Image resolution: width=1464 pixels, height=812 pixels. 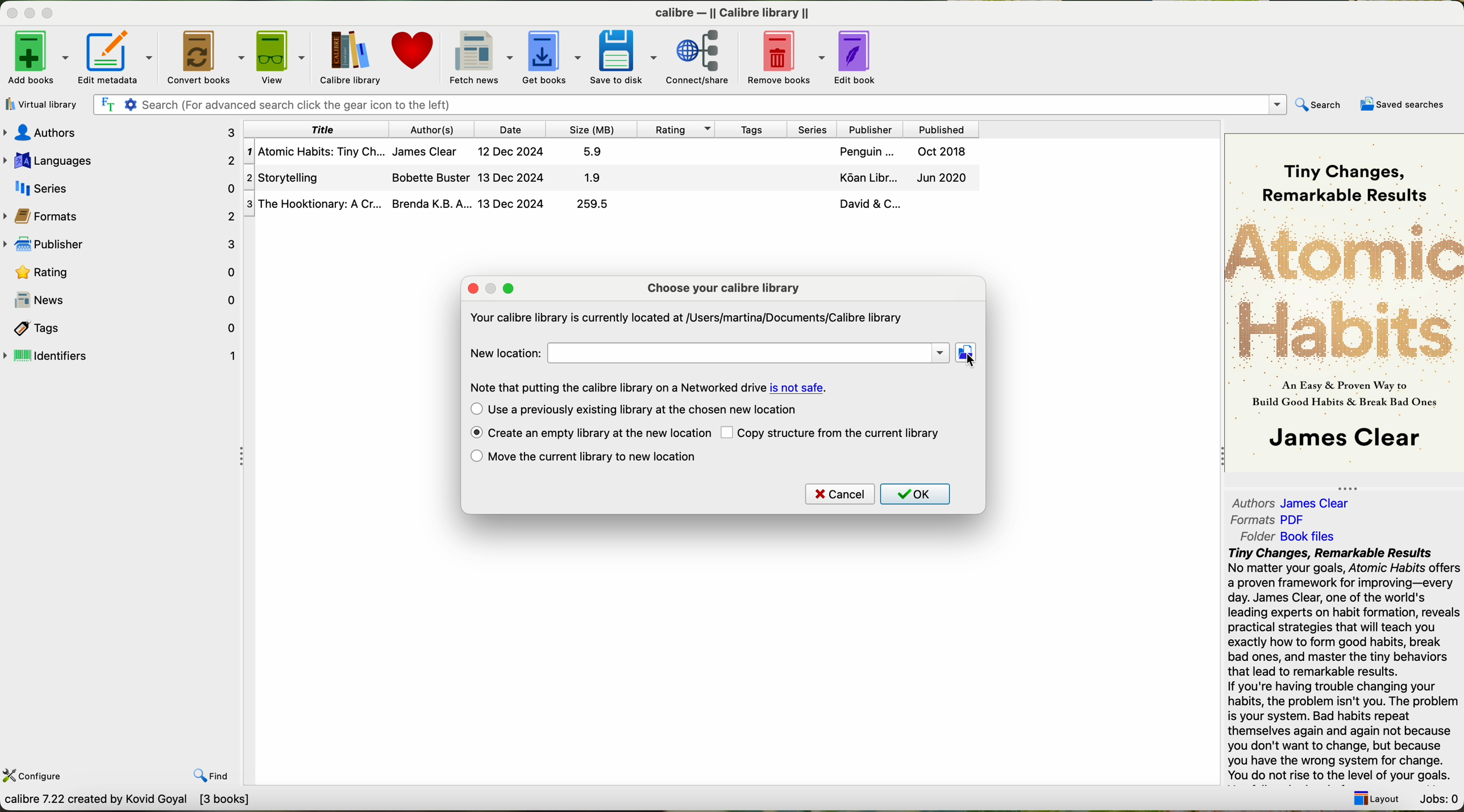 I want to click on Second Storytelling, so click(x=613, y=178).